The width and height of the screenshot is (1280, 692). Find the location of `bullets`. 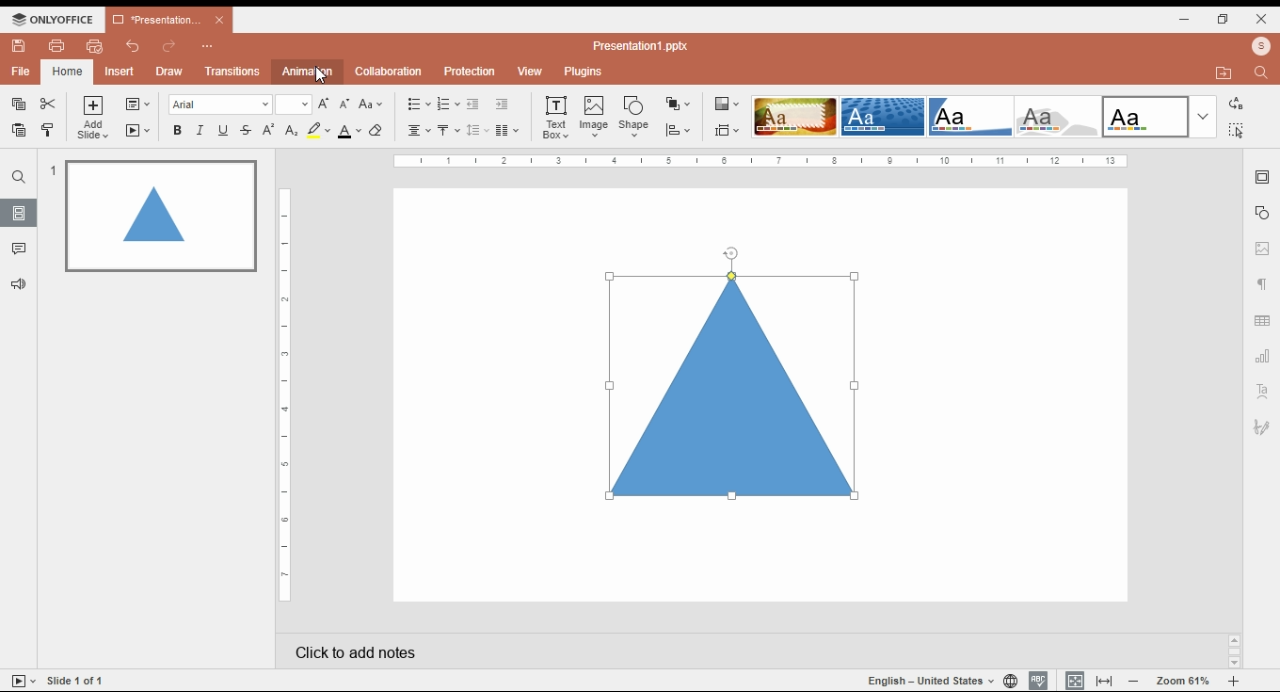

bullets is located at coordinates (419, 104).